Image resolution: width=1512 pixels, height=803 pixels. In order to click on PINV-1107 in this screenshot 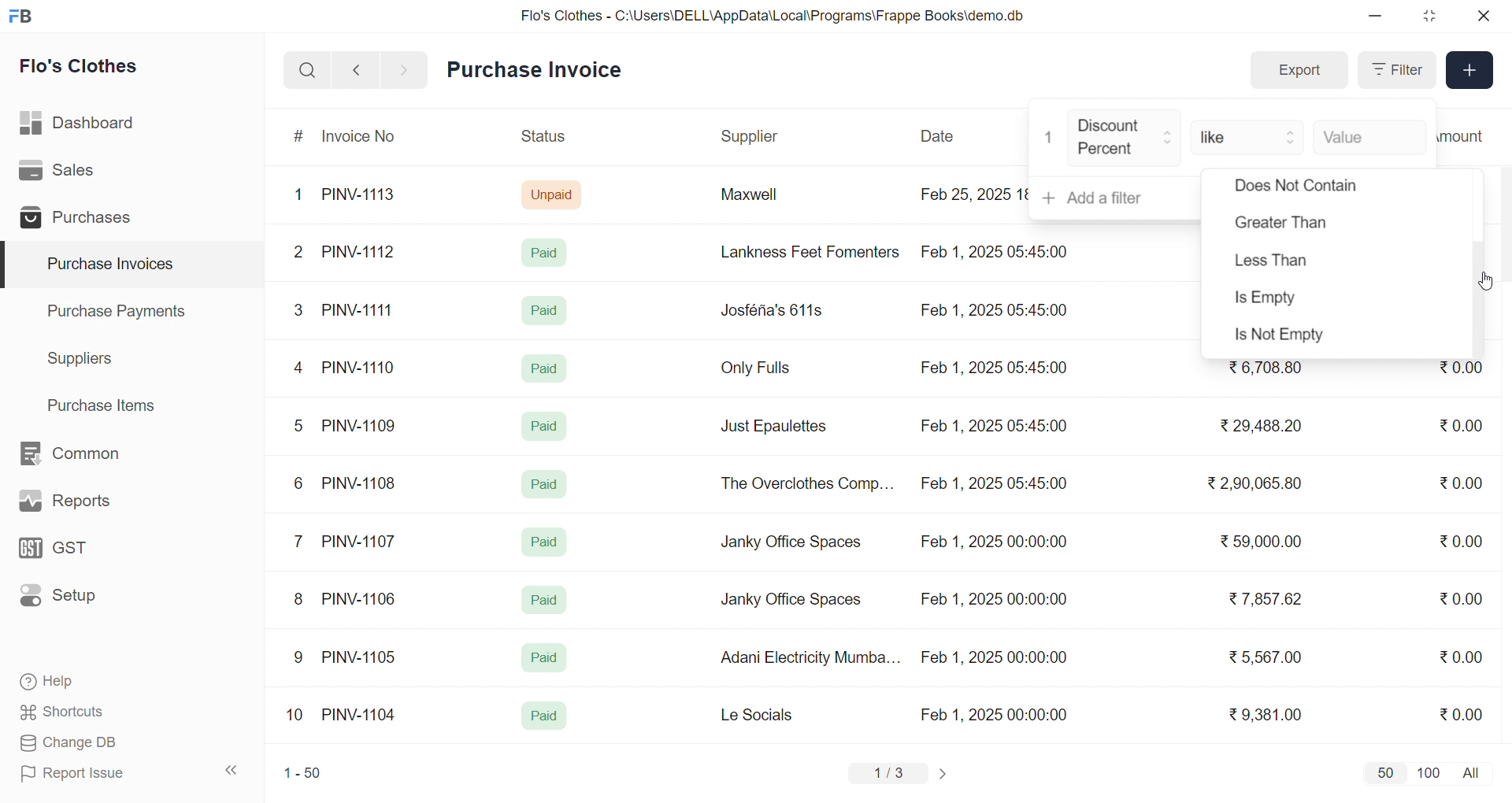, I will do `click(362, 542)`.